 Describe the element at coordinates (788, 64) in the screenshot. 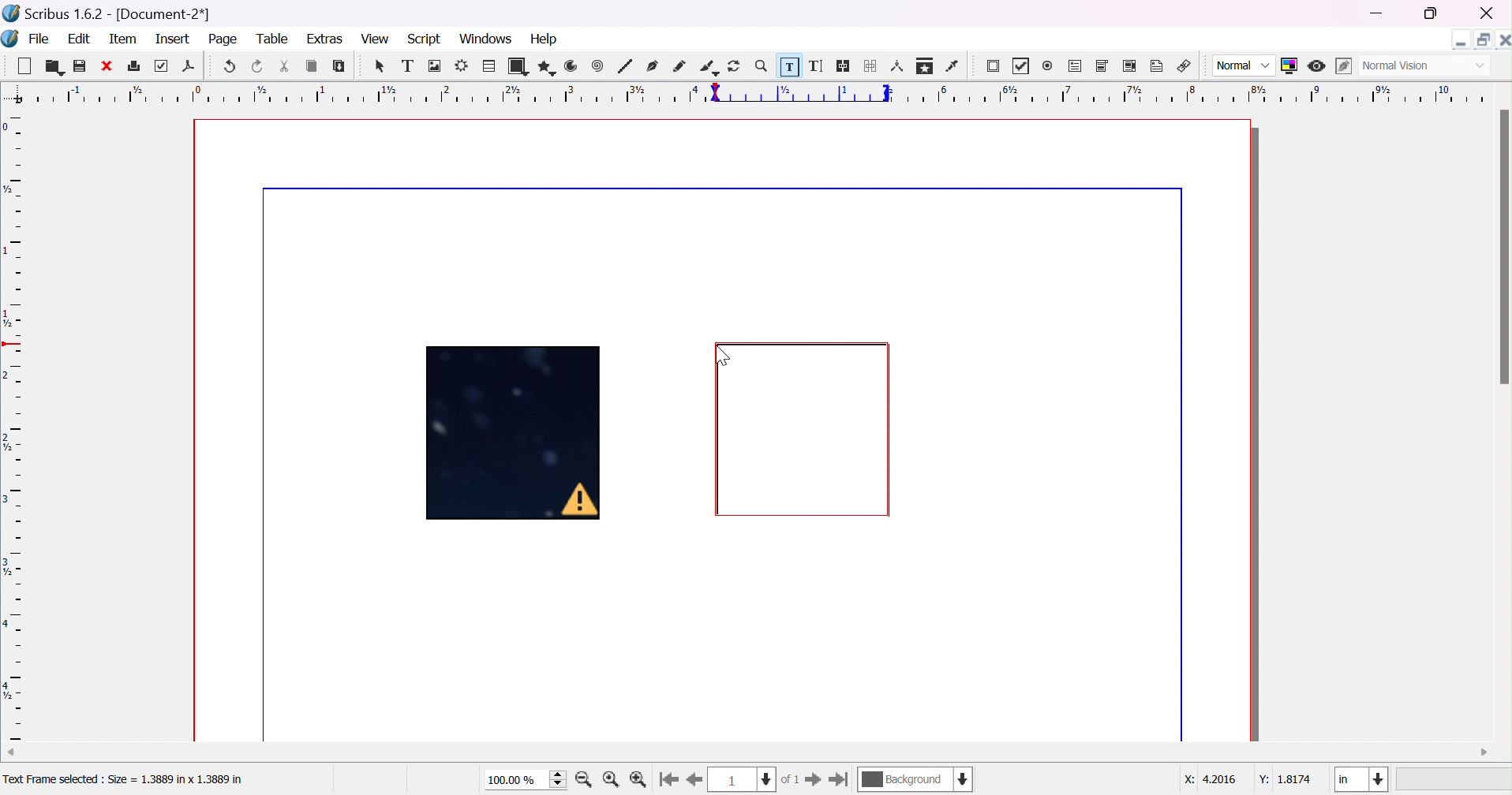

I see `edit contents of frame` at that location.